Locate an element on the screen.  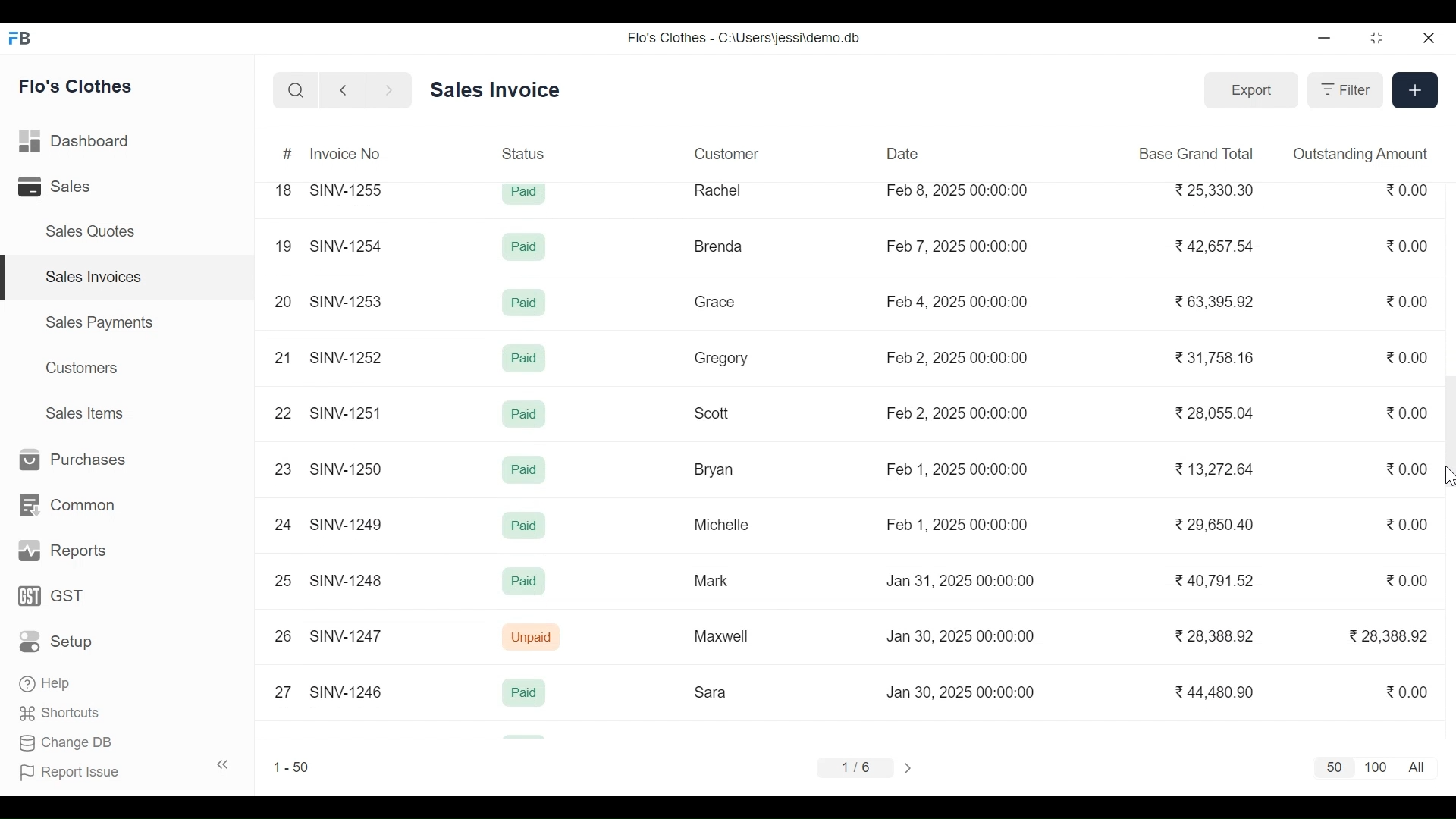
Paid is located at coordinates (526, 193).